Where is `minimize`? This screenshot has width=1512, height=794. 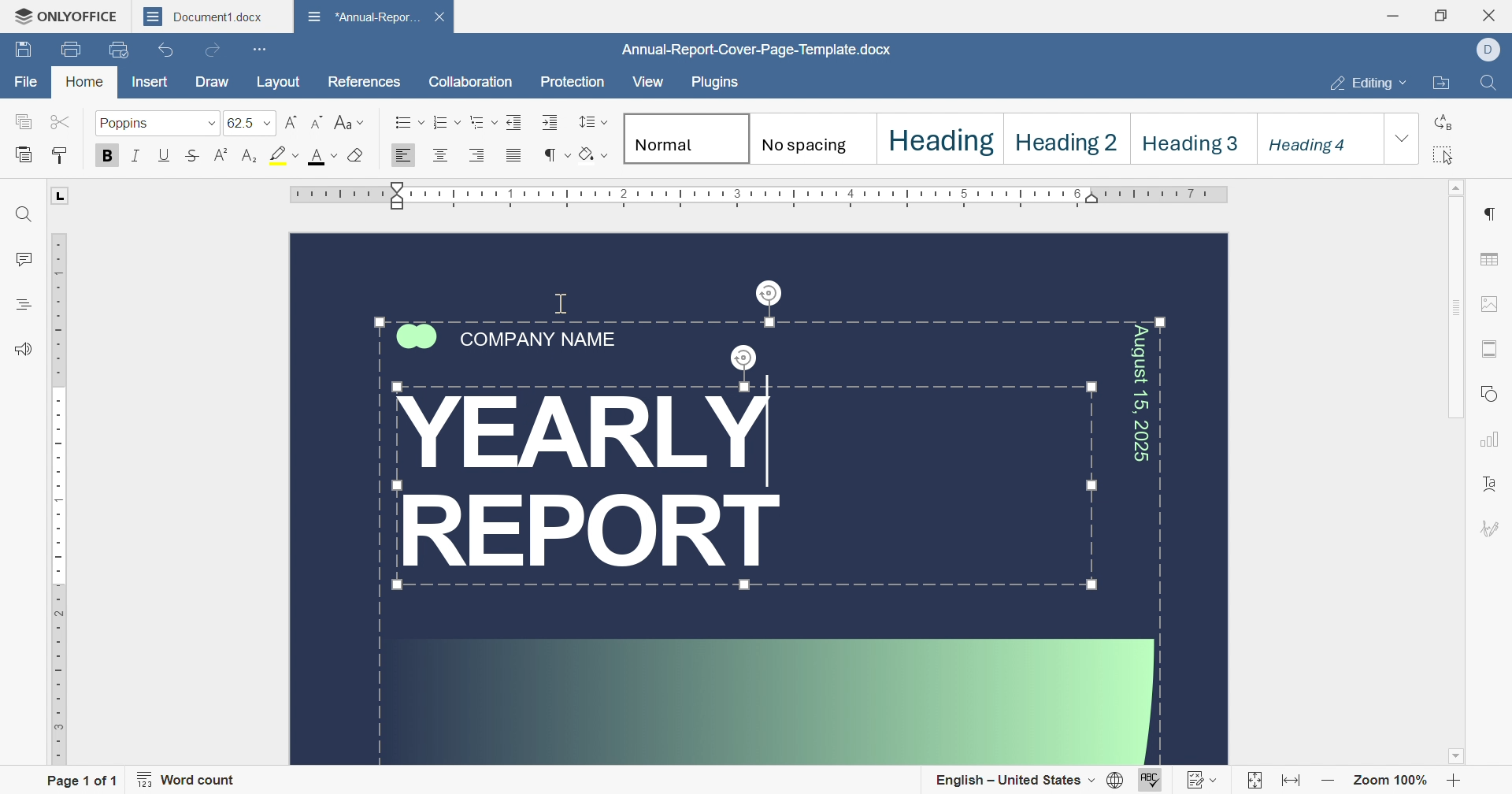 minimize is located at coordinates (1398, 13).